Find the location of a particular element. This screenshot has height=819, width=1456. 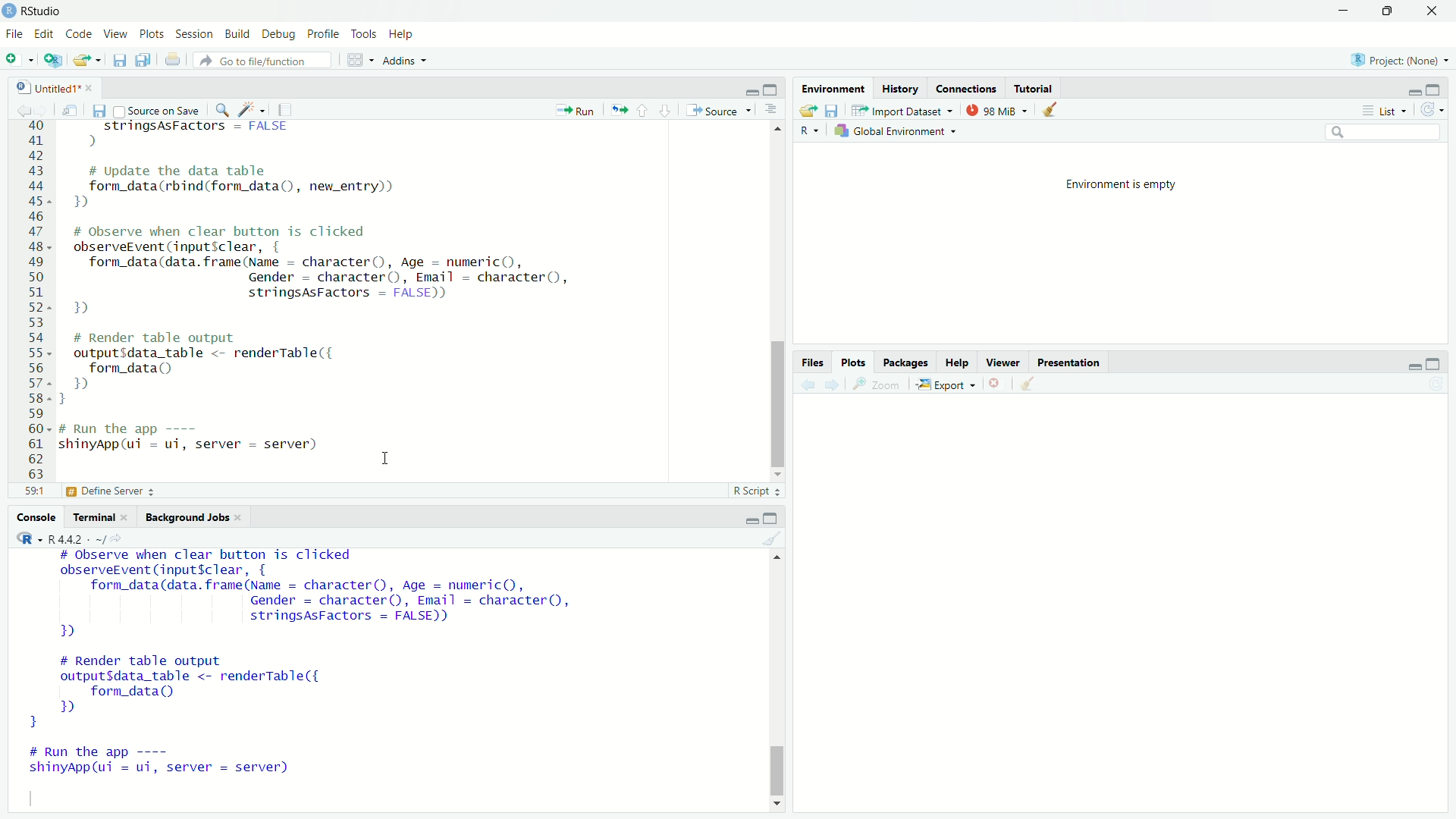

define server is located at coordinates (109, 494).